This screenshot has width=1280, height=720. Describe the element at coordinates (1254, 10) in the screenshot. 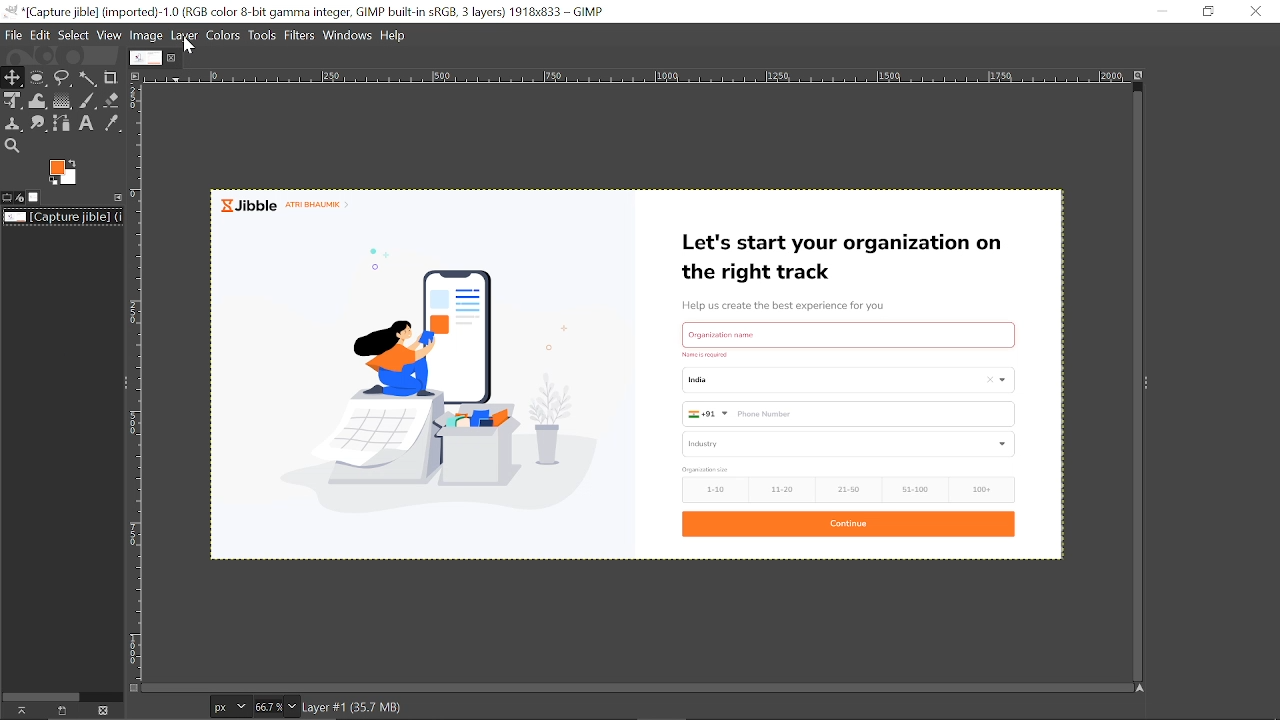

I see `CLose` at that location.